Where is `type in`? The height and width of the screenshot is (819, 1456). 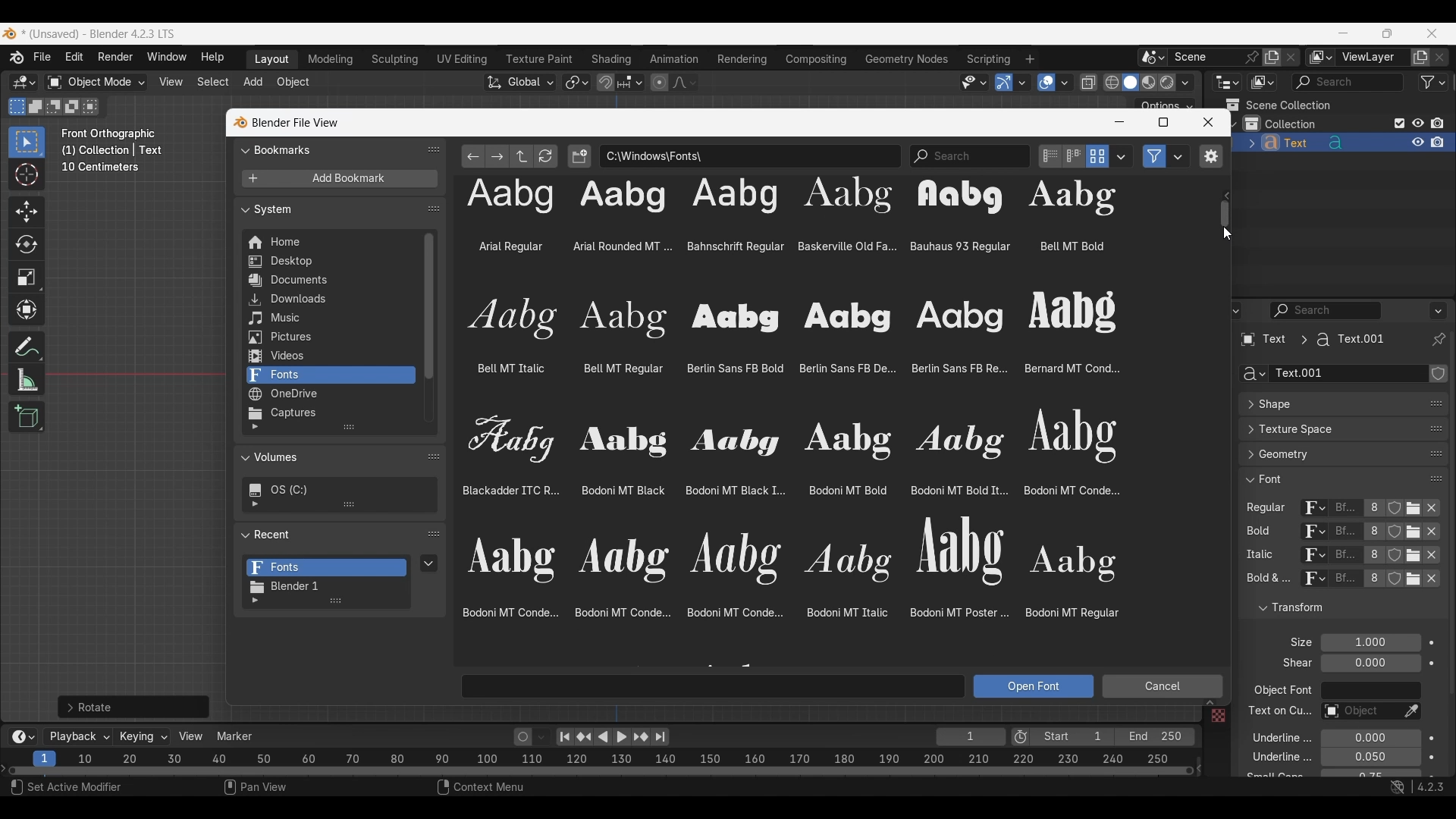 type in is located at coordinates (714, 686).